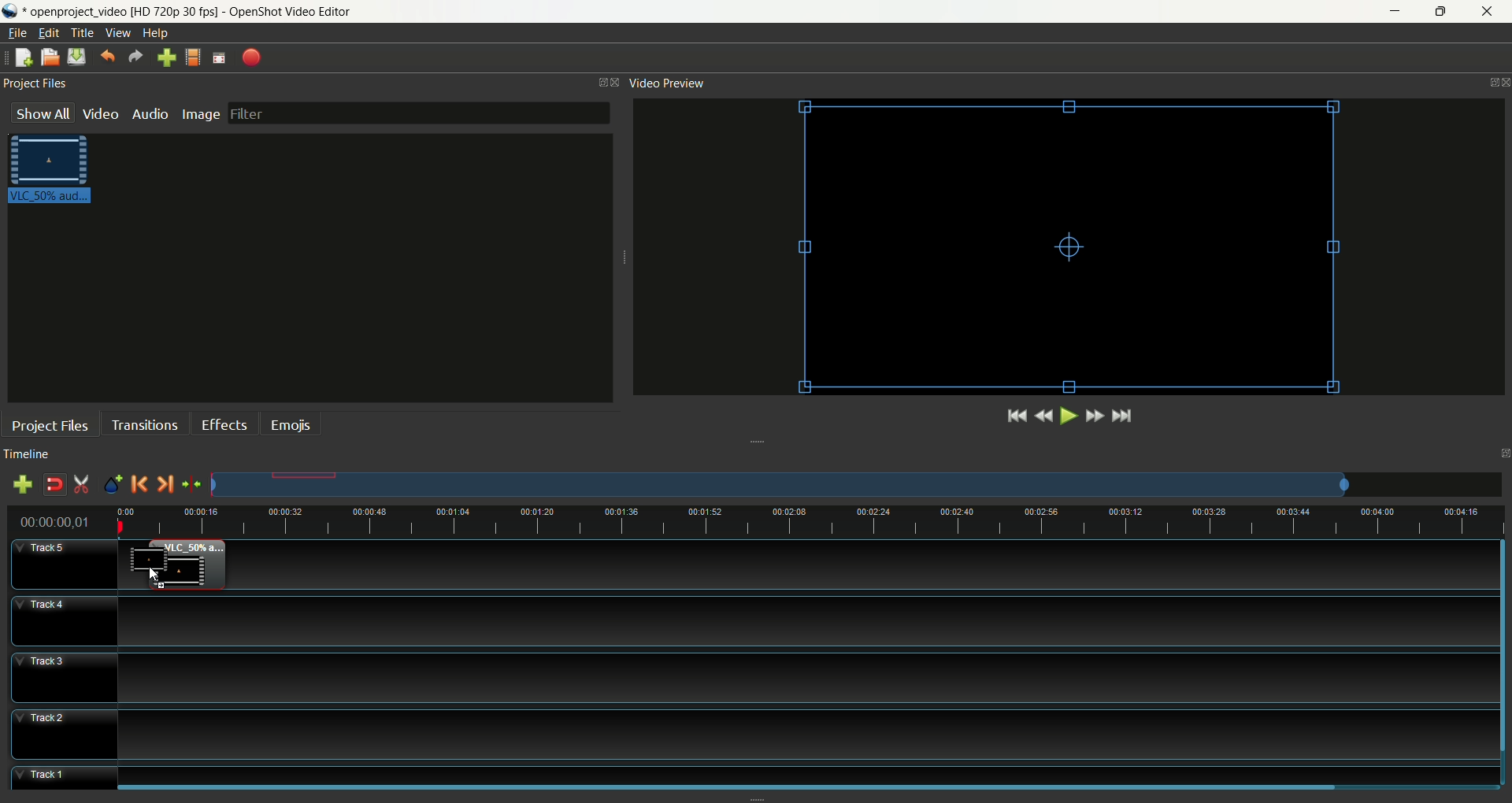 The height and width of the screenshot is (803, 1512). What do you see at coordinates (76, 56) in the screenshot?
I see `save project` at bounding box center [76, 56].